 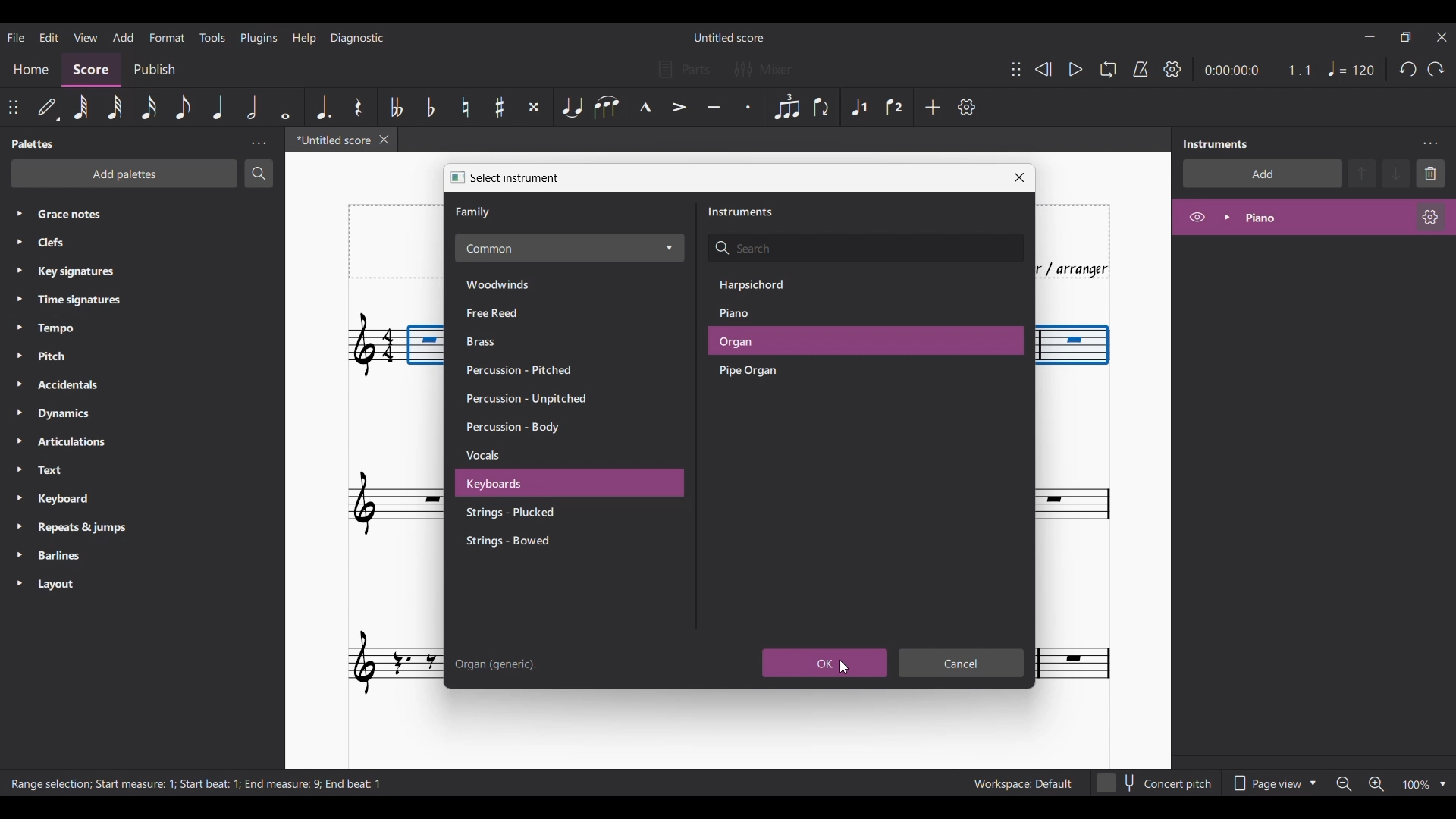 What do you see at coordinates (767, 372) in the screenshot?
I see `Pipe Organ` at bounding box center [767, 372].